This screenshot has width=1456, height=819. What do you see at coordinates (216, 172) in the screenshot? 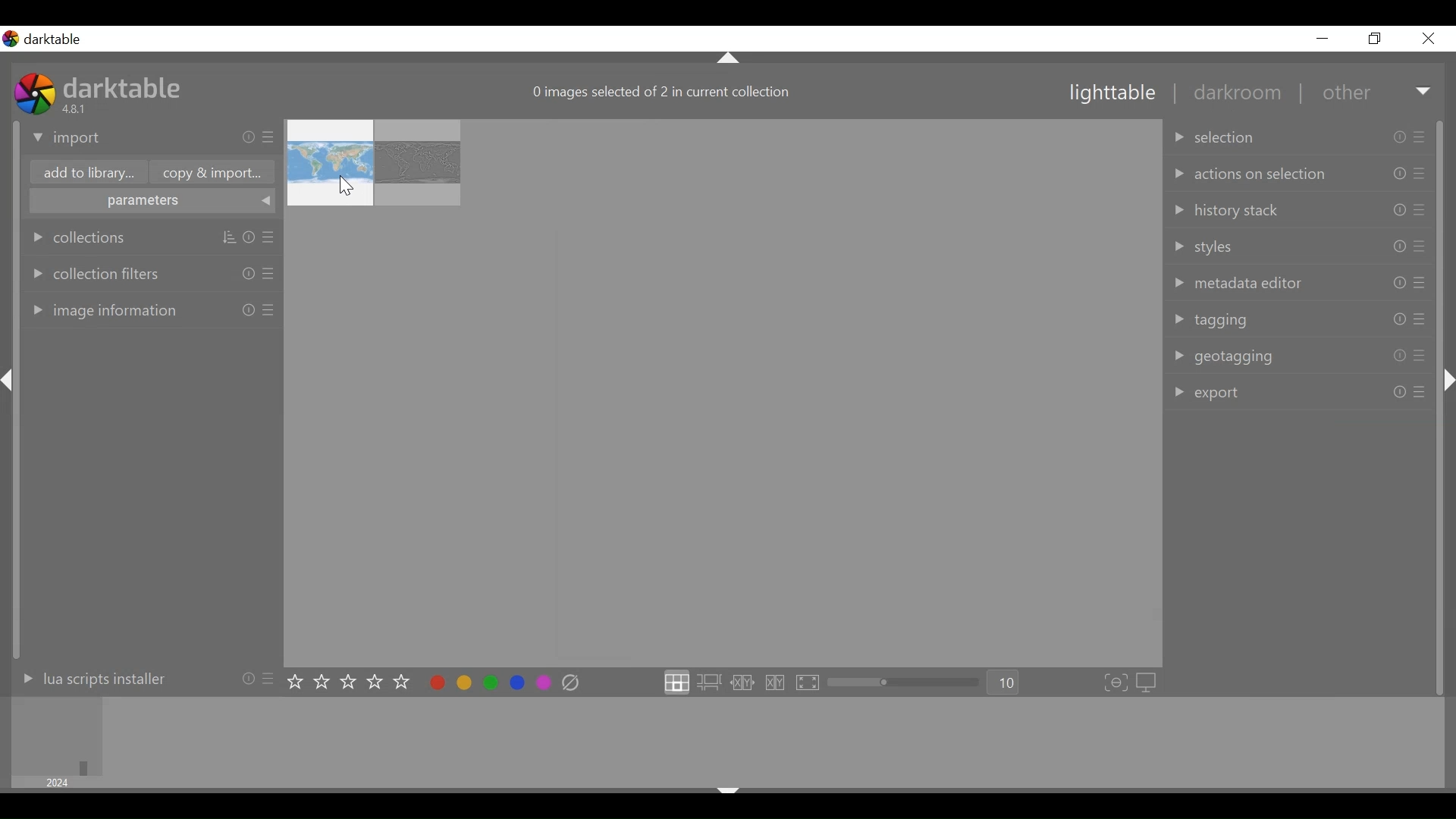
I see `copy  & Import` at bounding box center [216, 172].